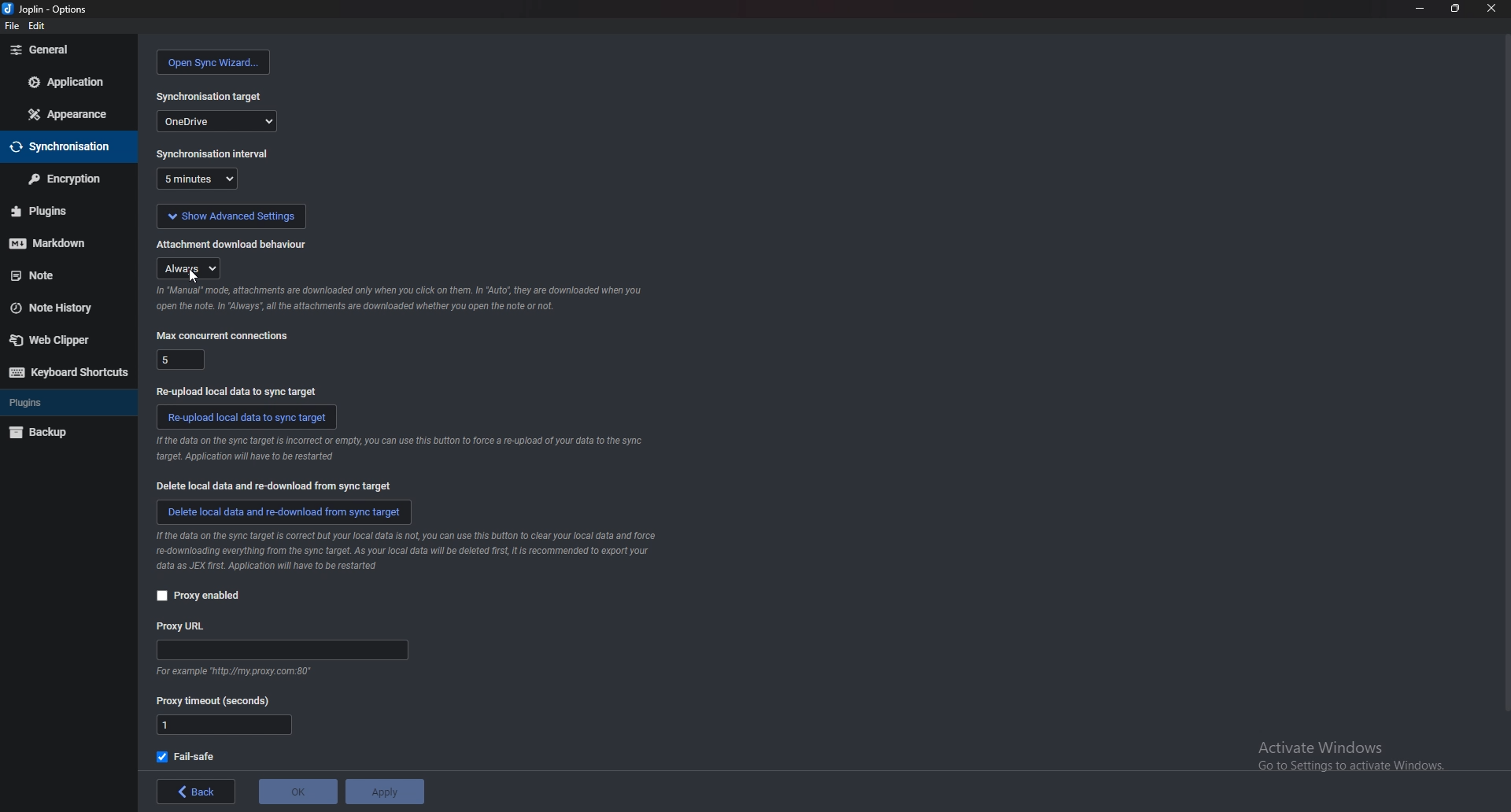  I want to click on one drive, so click(216, 120).